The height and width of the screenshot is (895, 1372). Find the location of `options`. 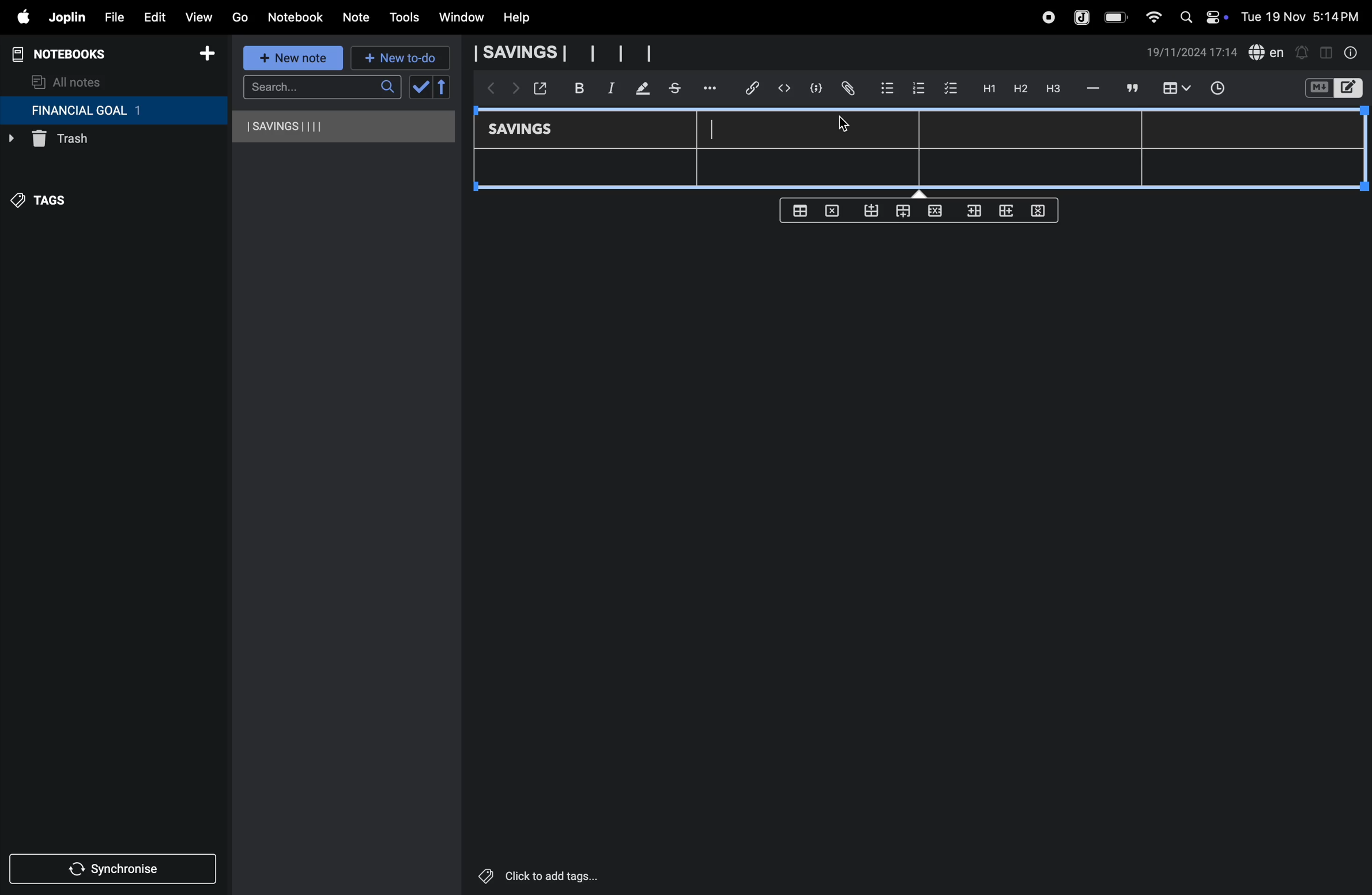

options is located at coordinates (712, 88).